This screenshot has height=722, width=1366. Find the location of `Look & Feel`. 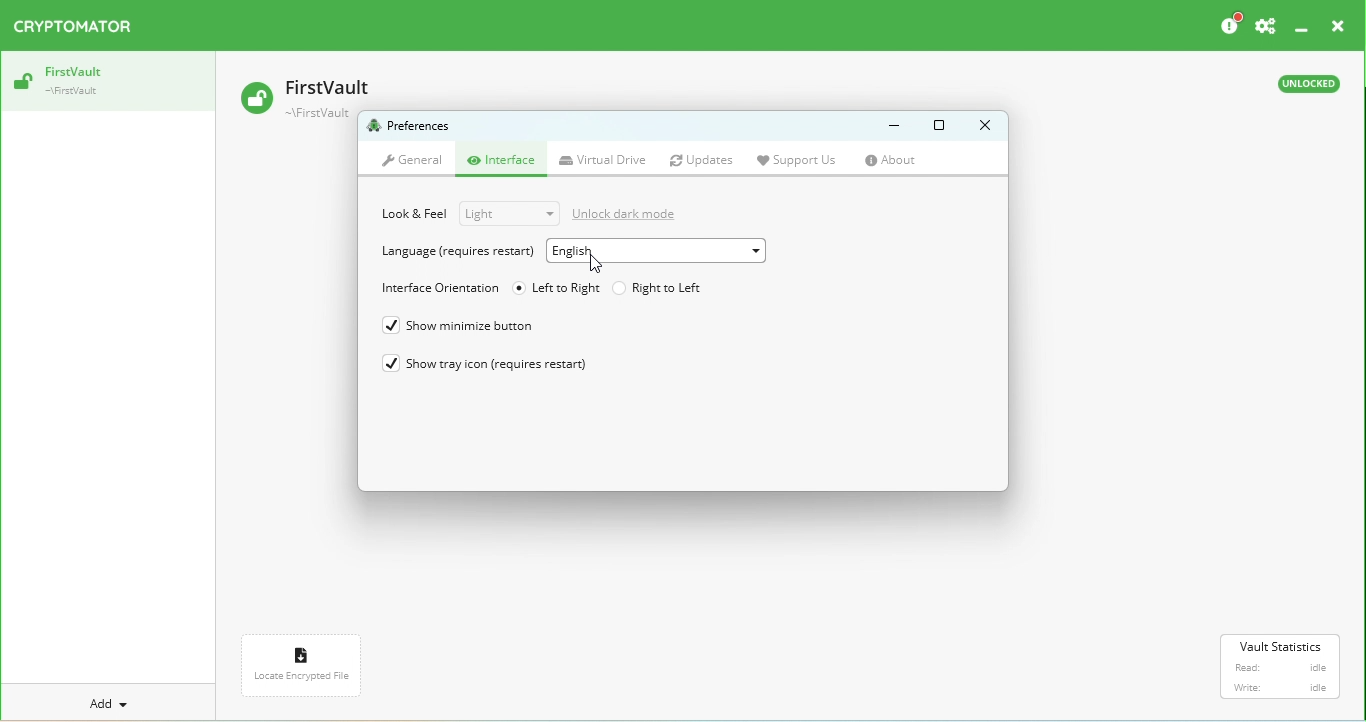

Look & Feel is located at coordinates (415, 214).